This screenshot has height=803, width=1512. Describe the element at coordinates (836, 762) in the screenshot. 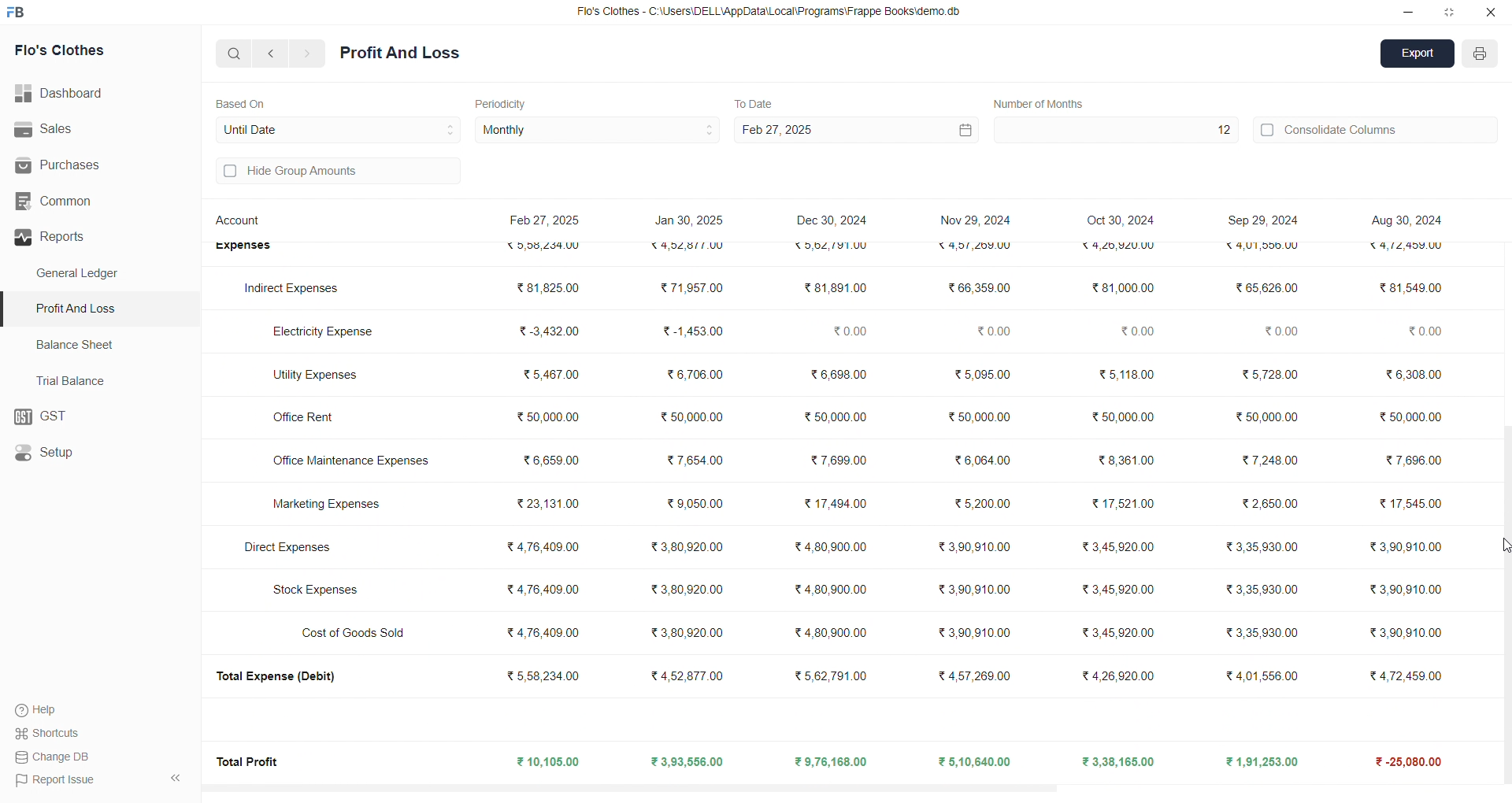

I see `₹9,76,168.00` at that location.